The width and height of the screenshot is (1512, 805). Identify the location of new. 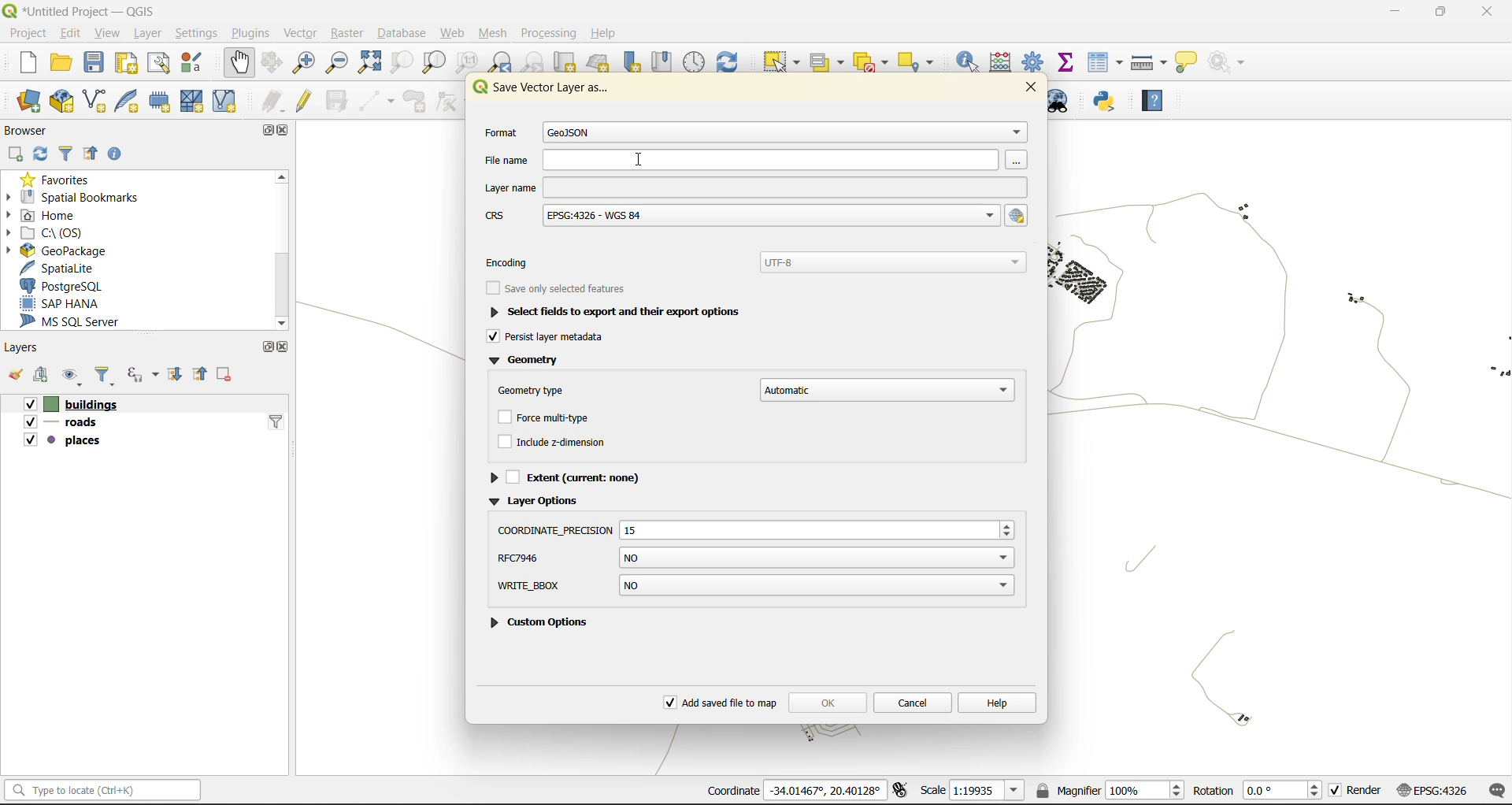
(28, 63).